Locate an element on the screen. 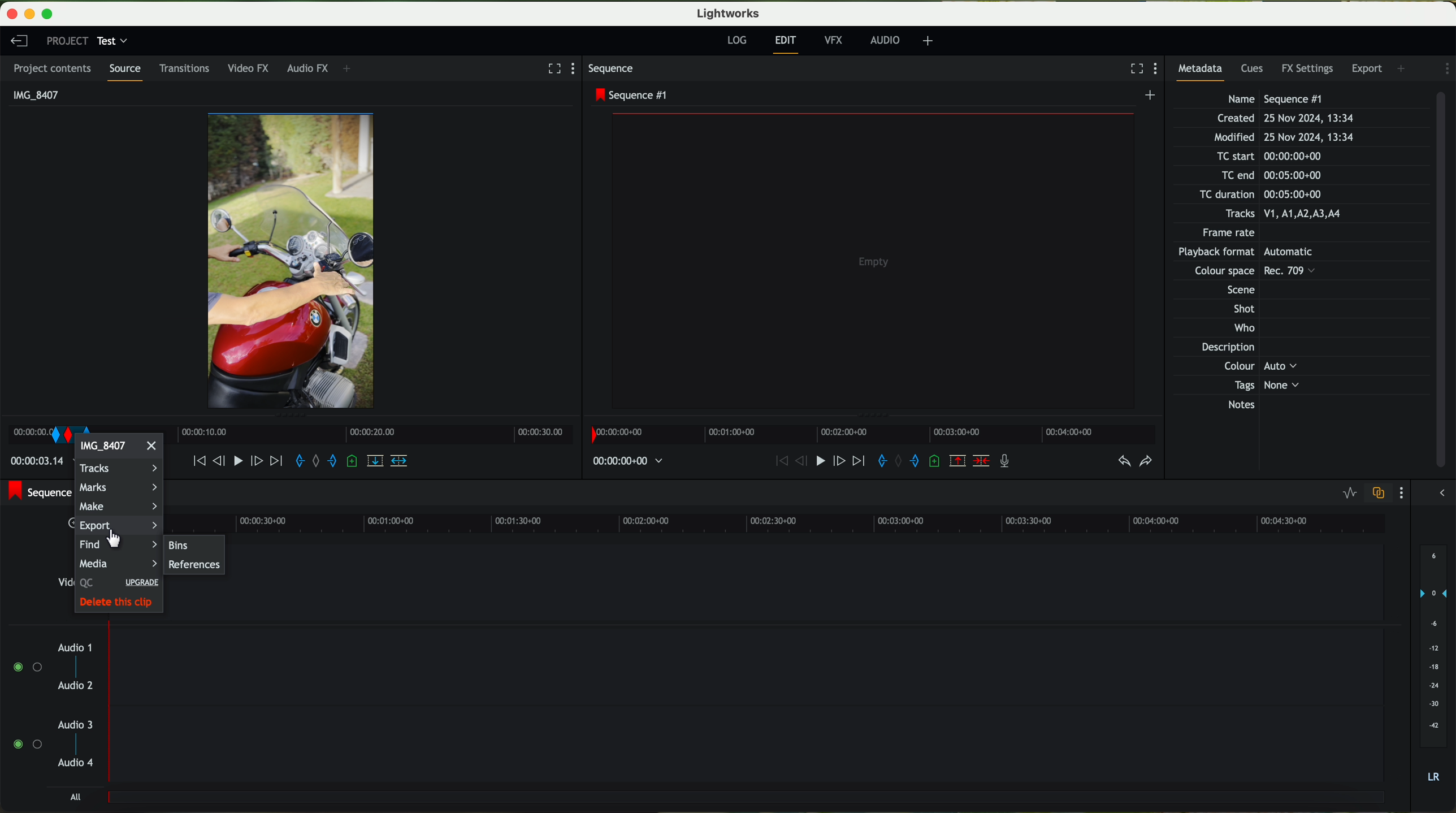 This screenshot has width=1456, height=813. TC end is located at coordinates (1286, 176).